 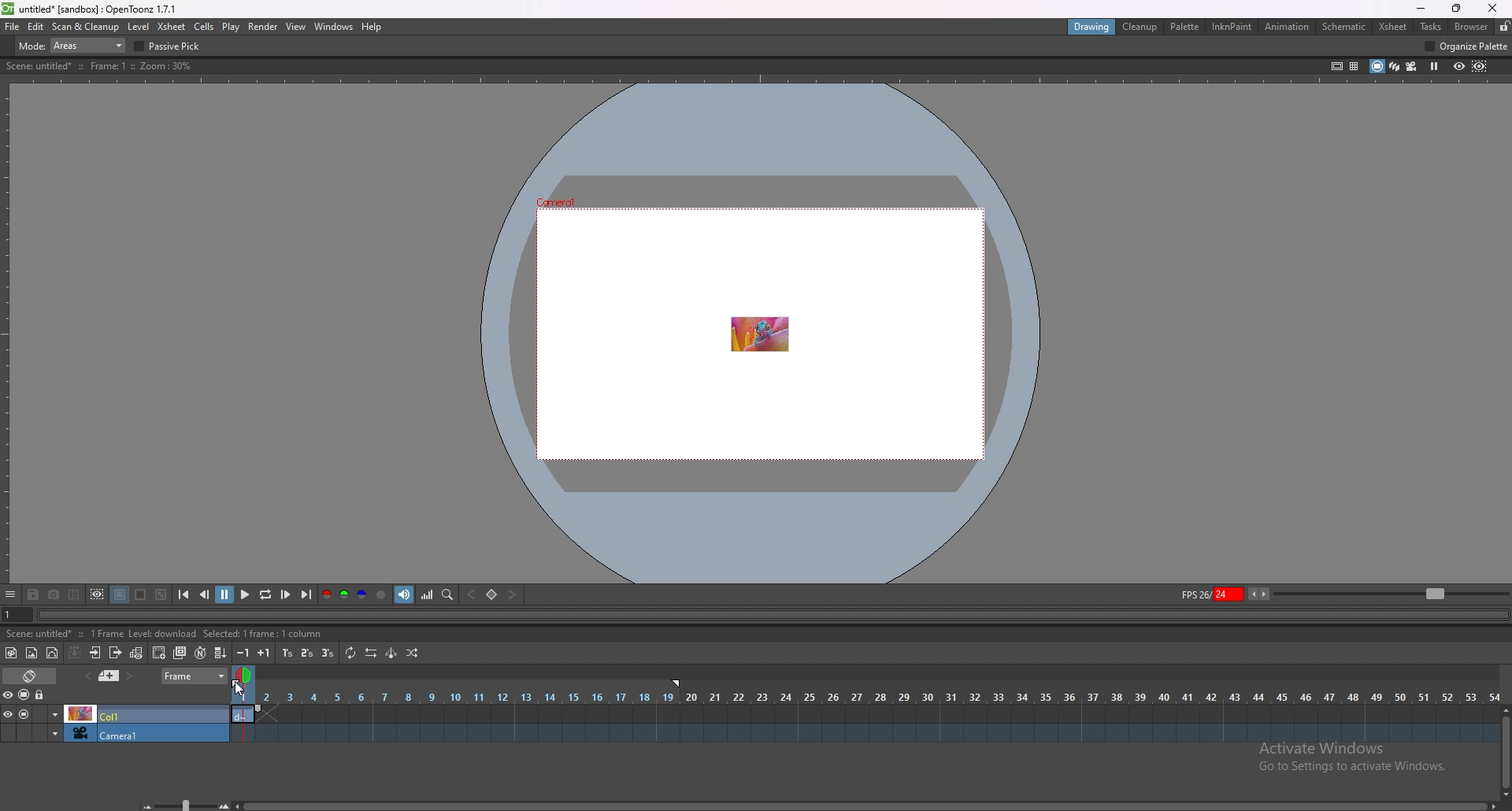 What do you see at coordinates (264, 653) in the screenshot?
I see `increase step` at bounding box center [264, 653].